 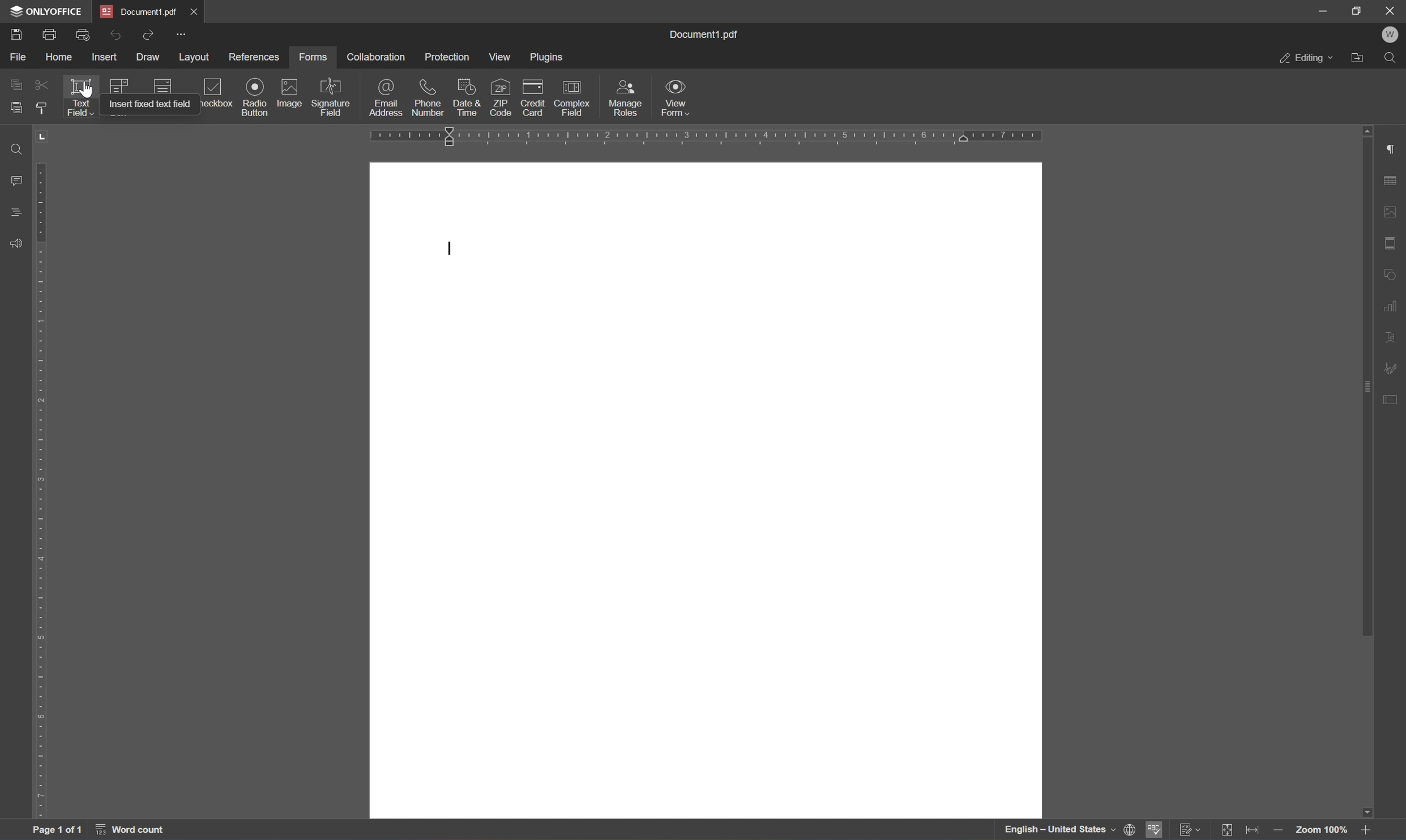 What do you see at coordinates (84, 97) in the screenshot?
I see `text field` at bounding box center [84, 97].